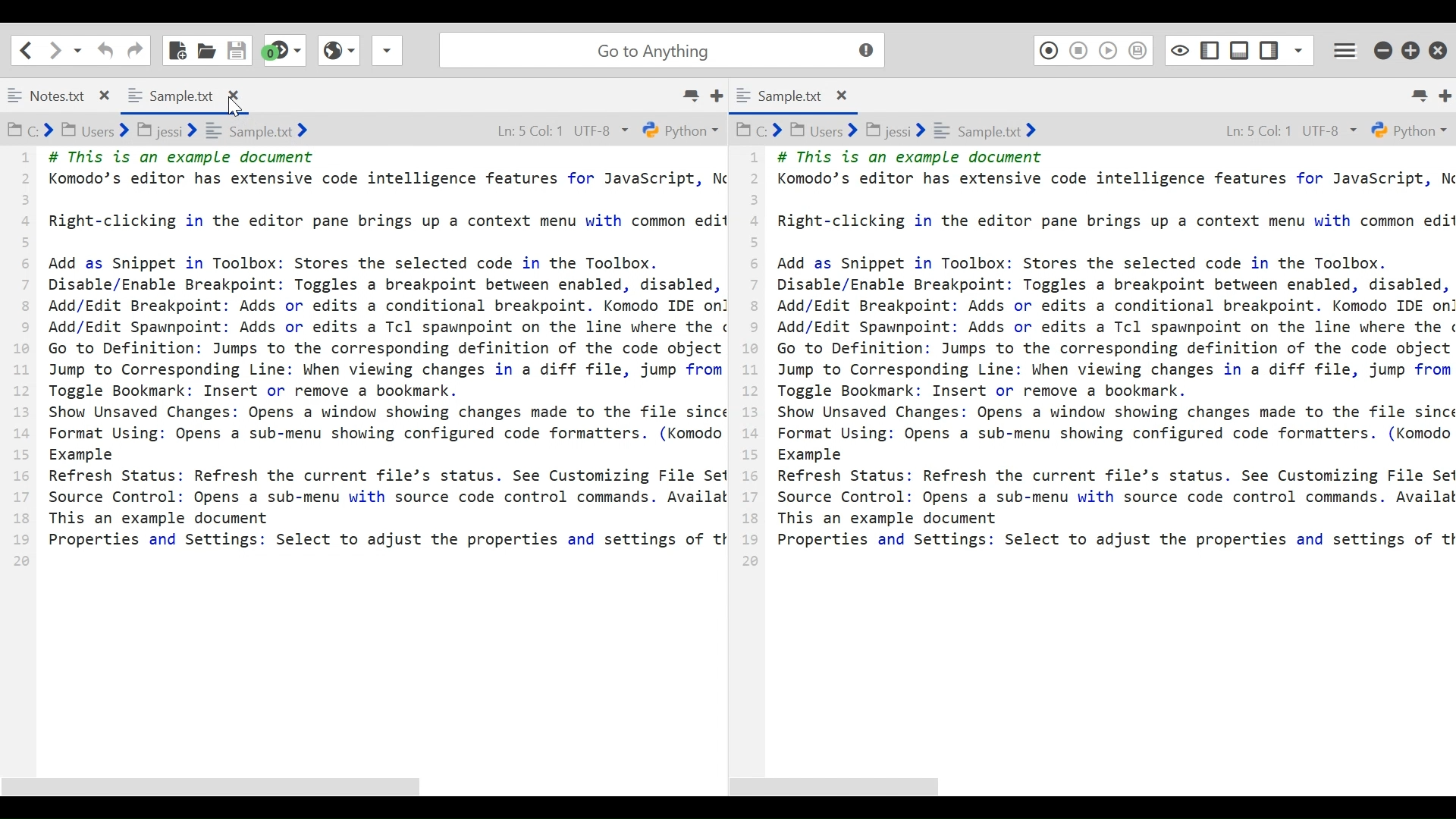 Image resolution: width=1456 pixels, height=819 pixels. Describe the element at coordinates (78, 50) in the screenshot. I see `Recent locations` at that location.